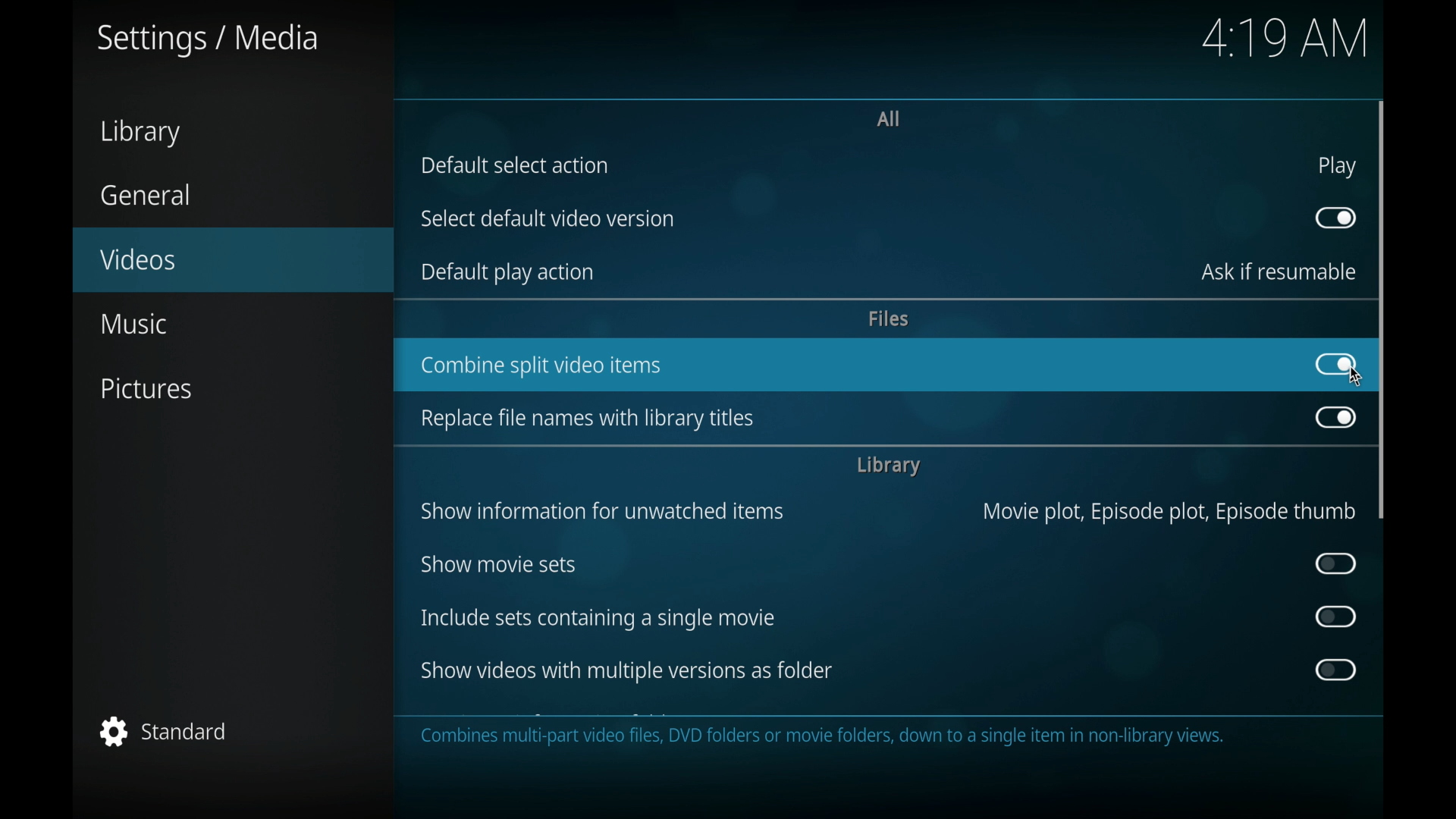 Image resolution: width=1456 pixels, height=819 pixels. What do you see at coordinates (1357, 377) in the screenshot?
I see `cursor` at bounding box center [1357, 377].